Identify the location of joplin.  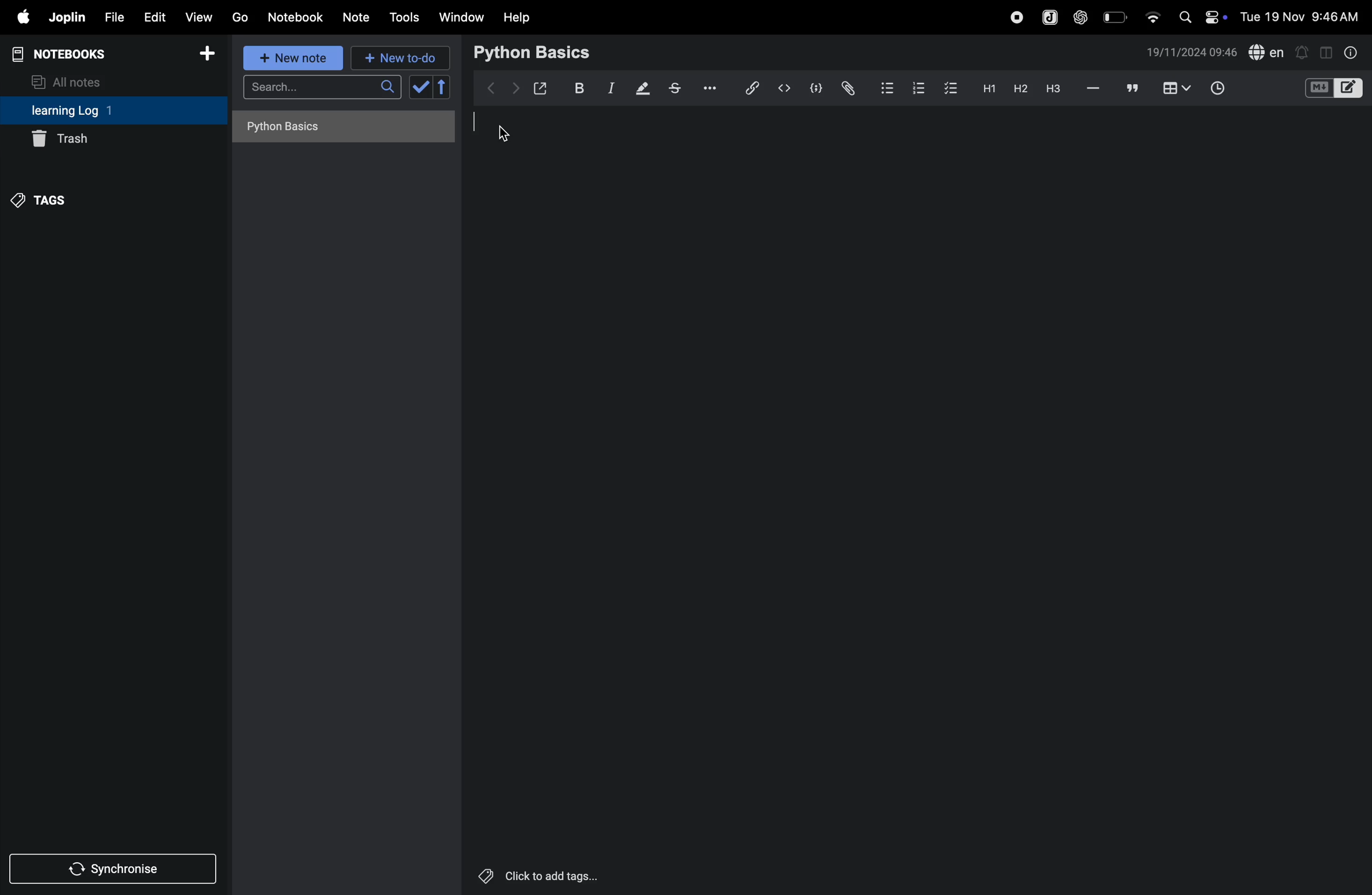
(1048, 17).